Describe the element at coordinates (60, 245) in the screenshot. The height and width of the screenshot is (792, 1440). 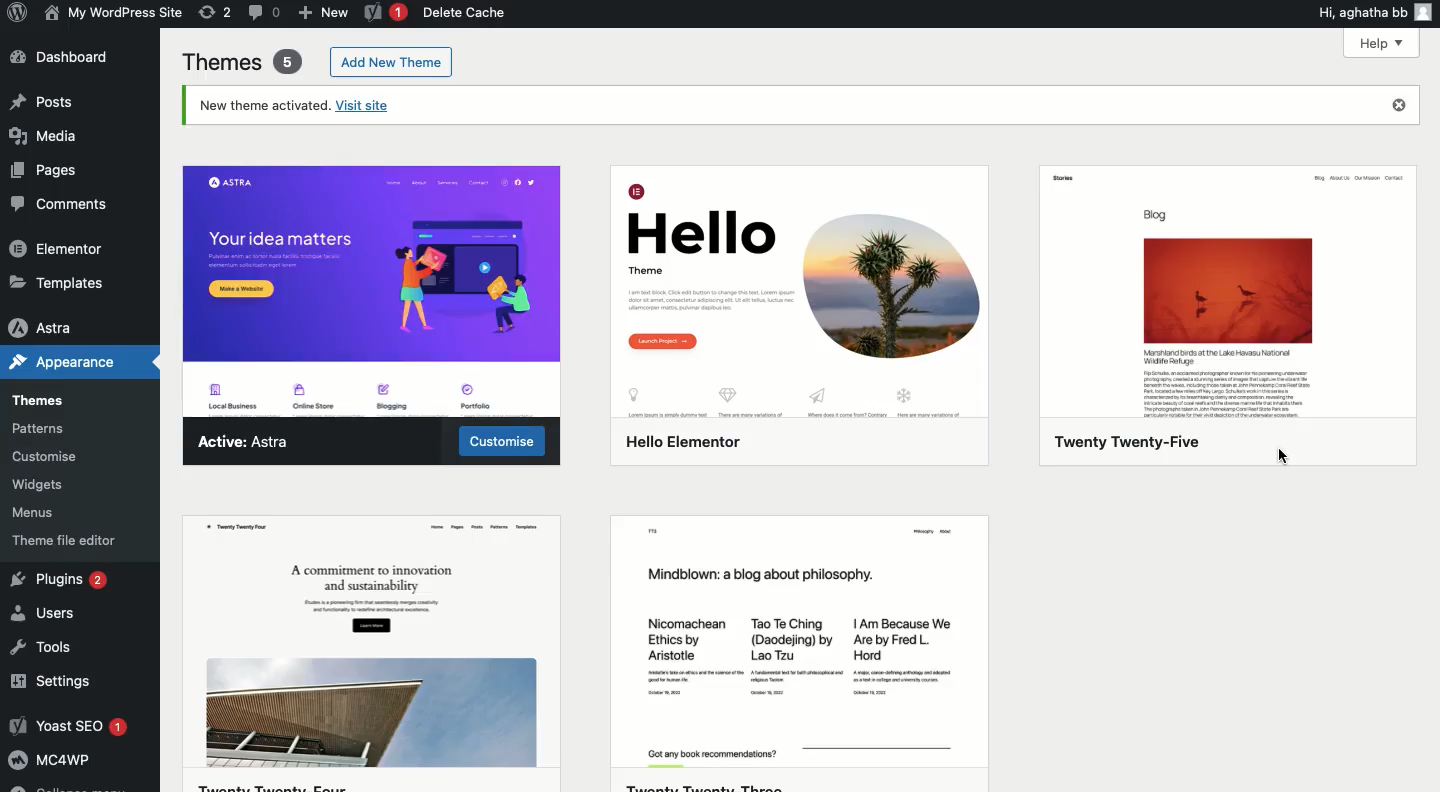
I see `Elementor` at that location.